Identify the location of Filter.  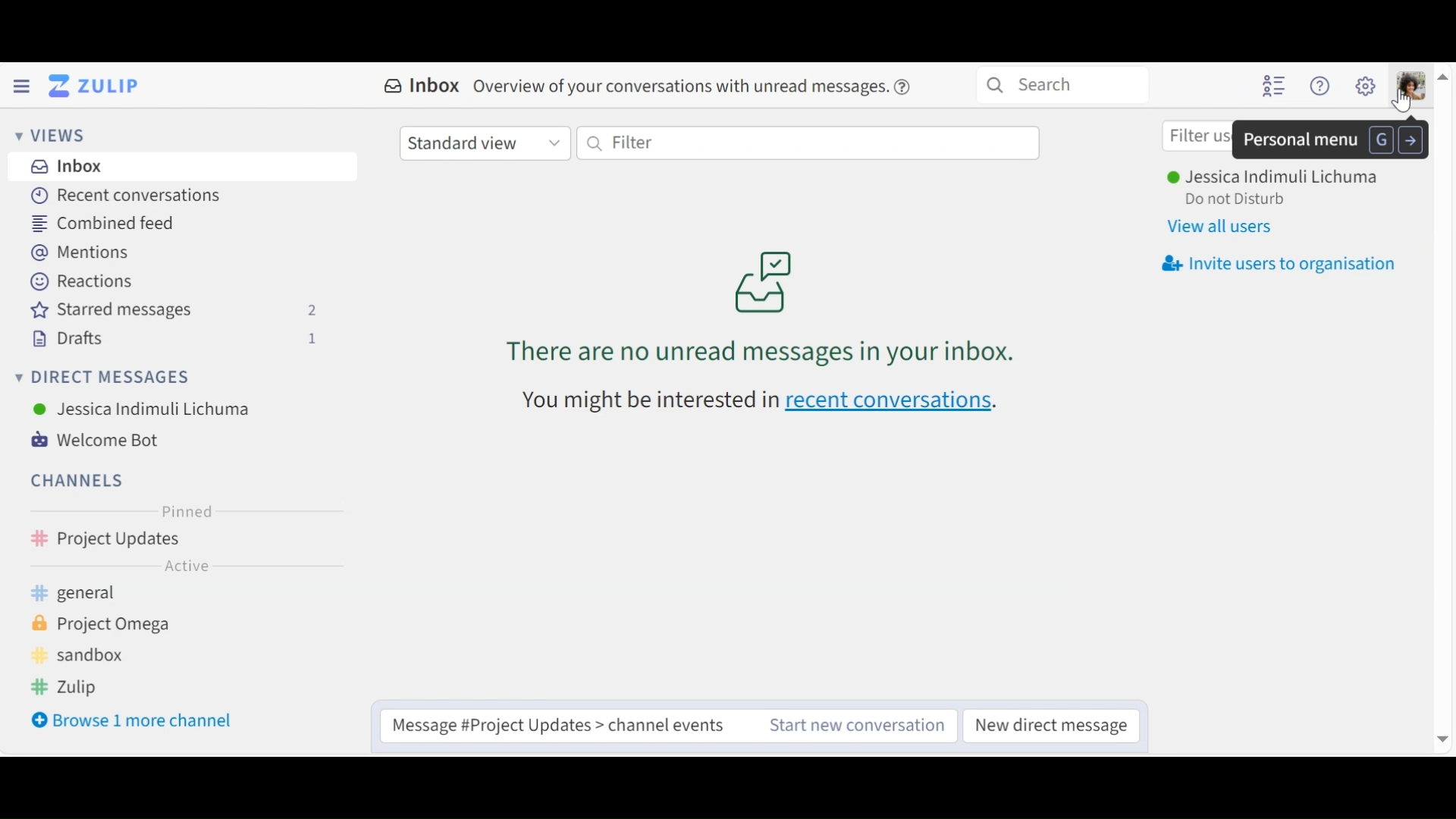
(807, 143).